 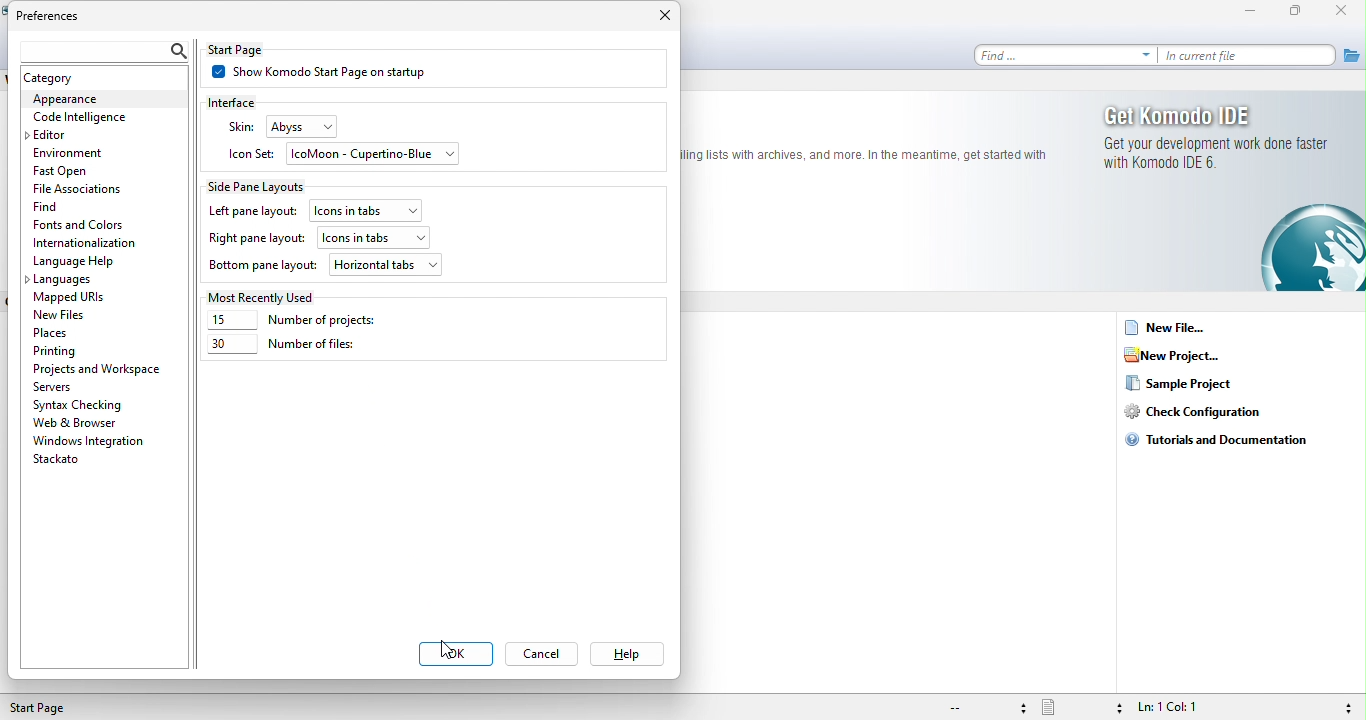 I want to click on horizontal tabs, so click(x=386, y=264).